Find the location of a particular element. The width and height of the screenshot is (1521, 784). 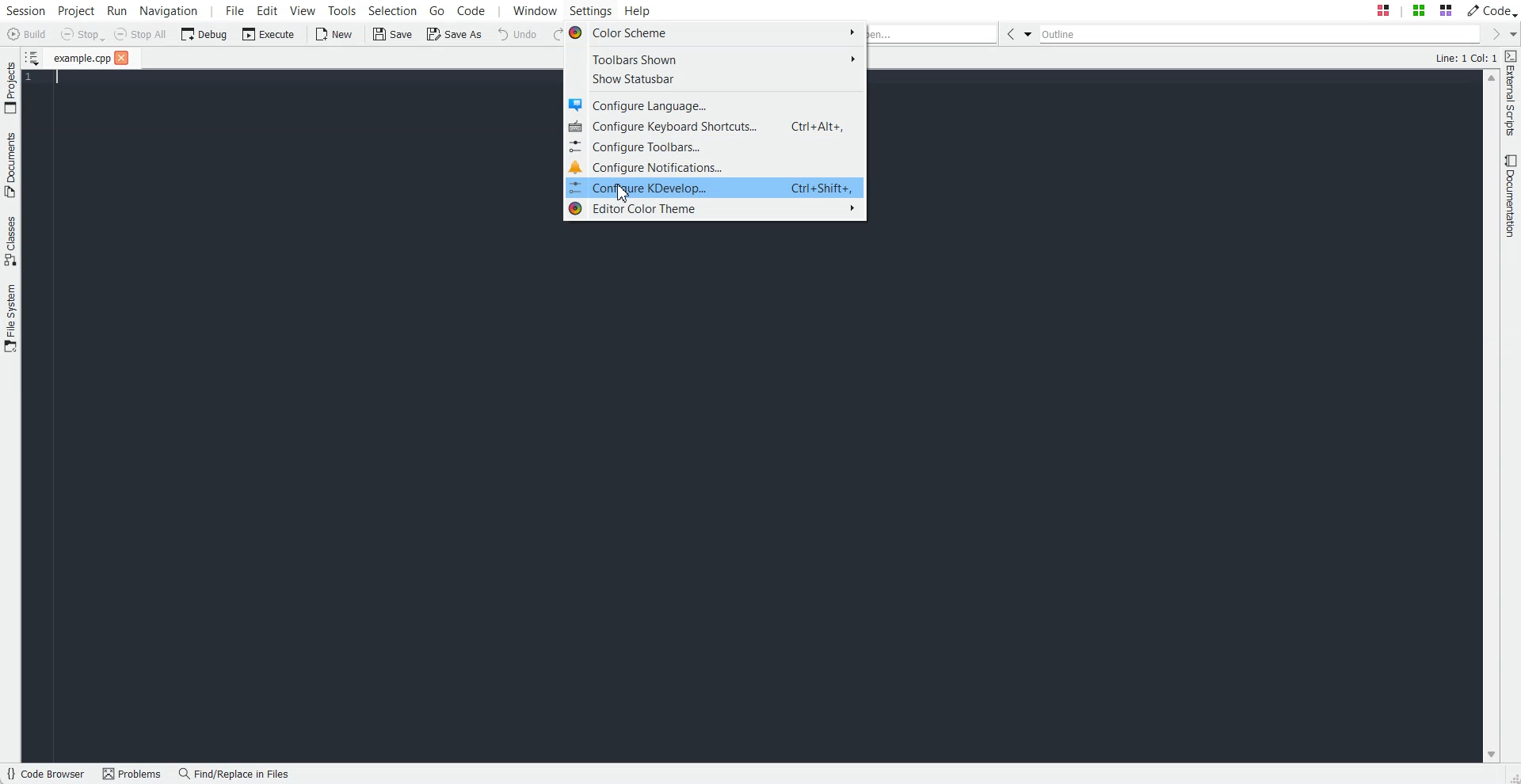

Outline is located at coordinates (1259, 33).